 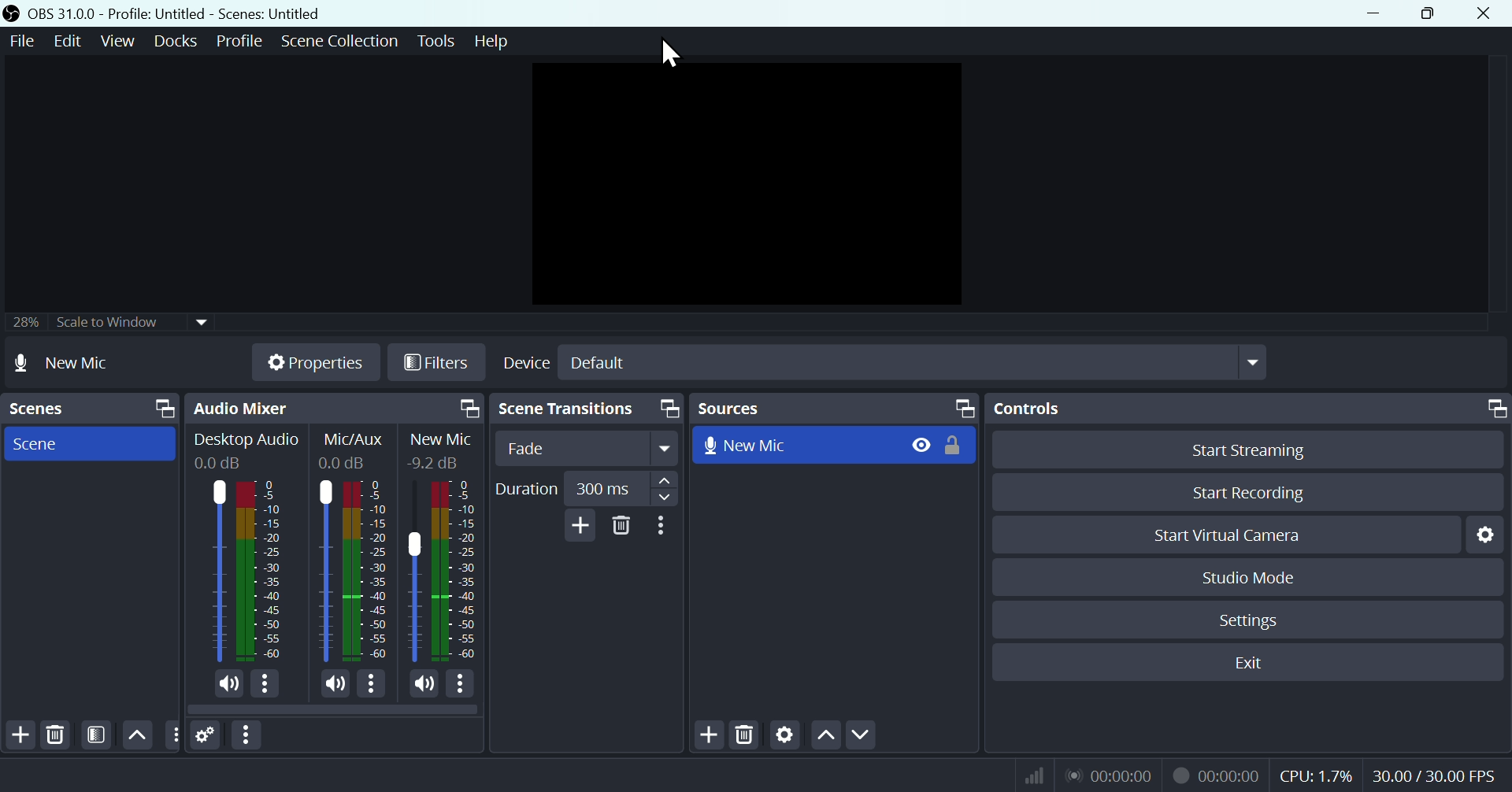 What do you see at coordinates (664, 526) in the screenshot?
I see `More options` at bounding box center [664, 526].